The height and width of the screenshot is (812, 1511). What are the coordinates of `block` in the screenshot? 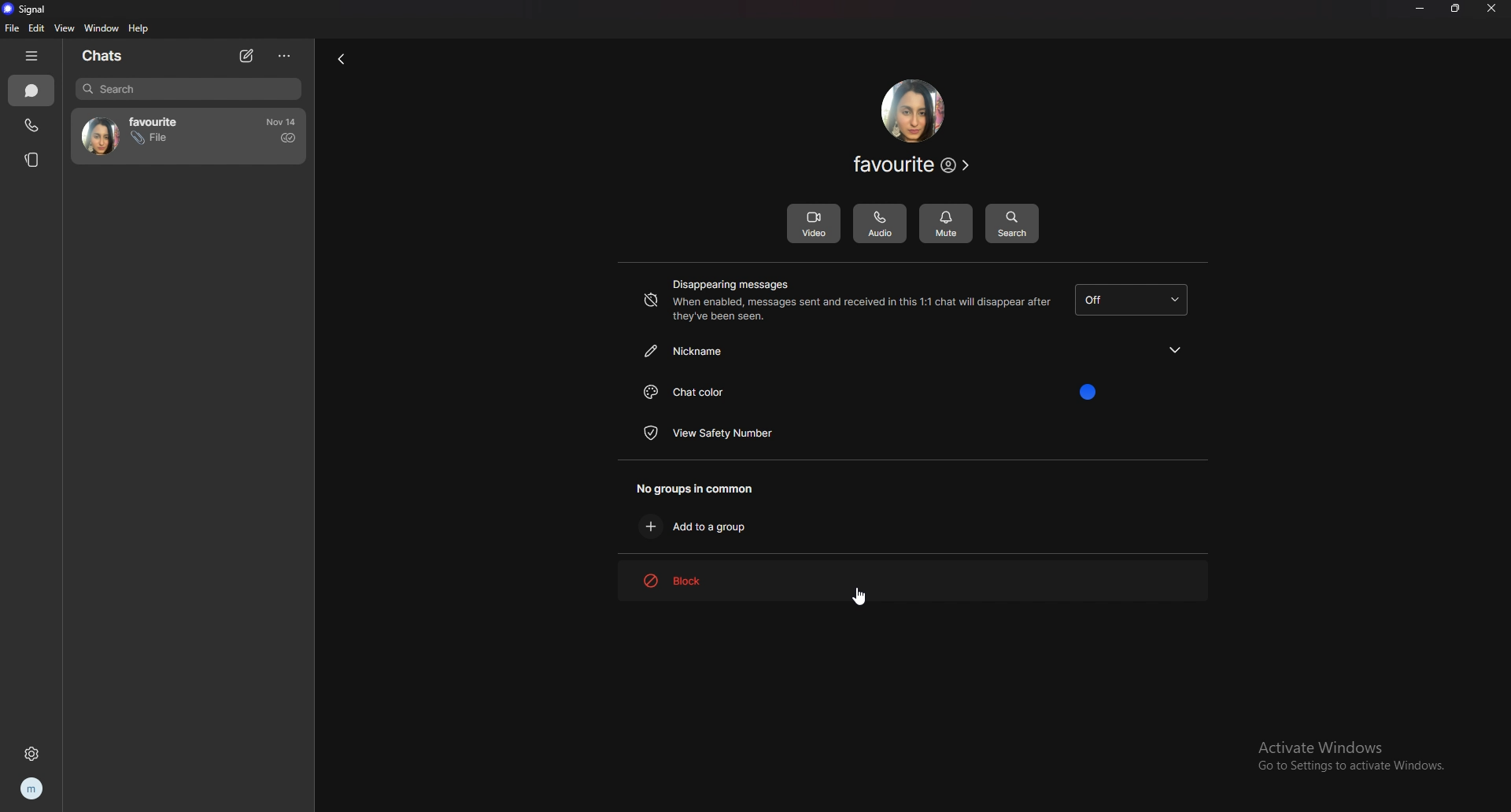 It's located at (695, 580).